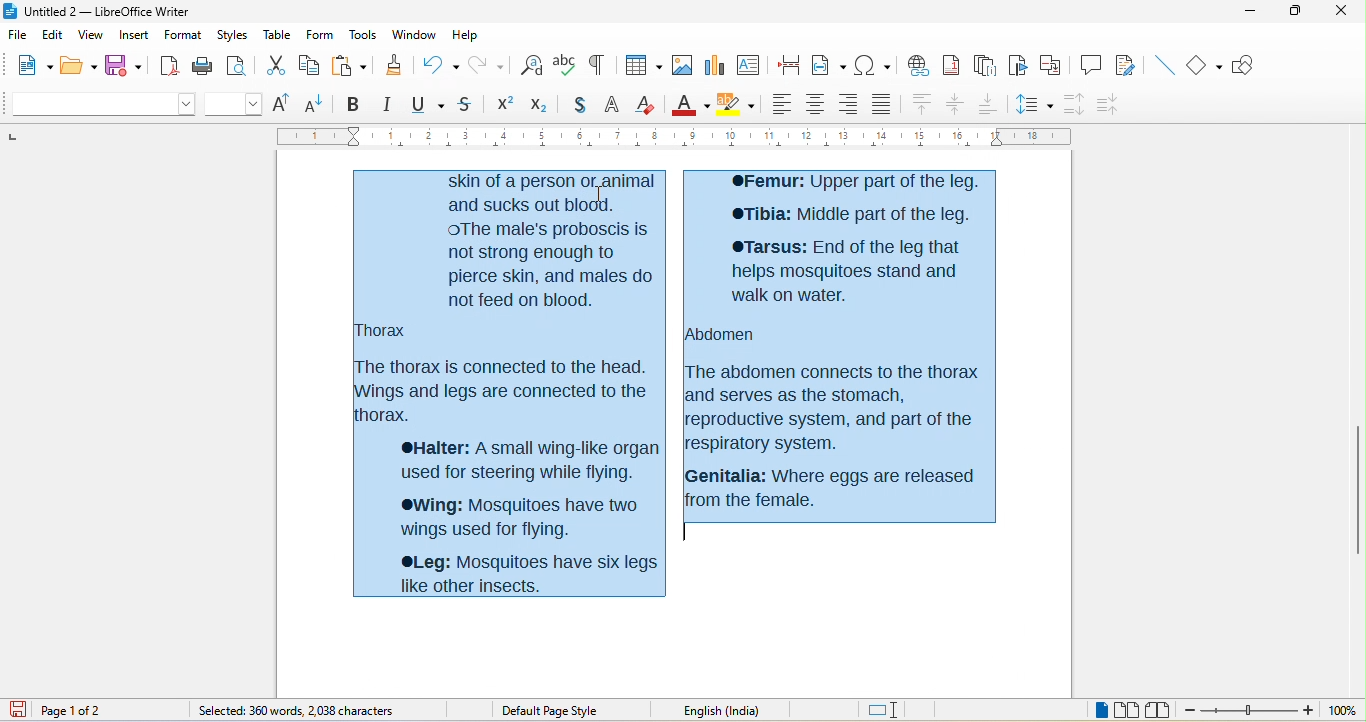 The height and width of the screenshot is (722, 1366). I want to click on italic, so click(385, 103).